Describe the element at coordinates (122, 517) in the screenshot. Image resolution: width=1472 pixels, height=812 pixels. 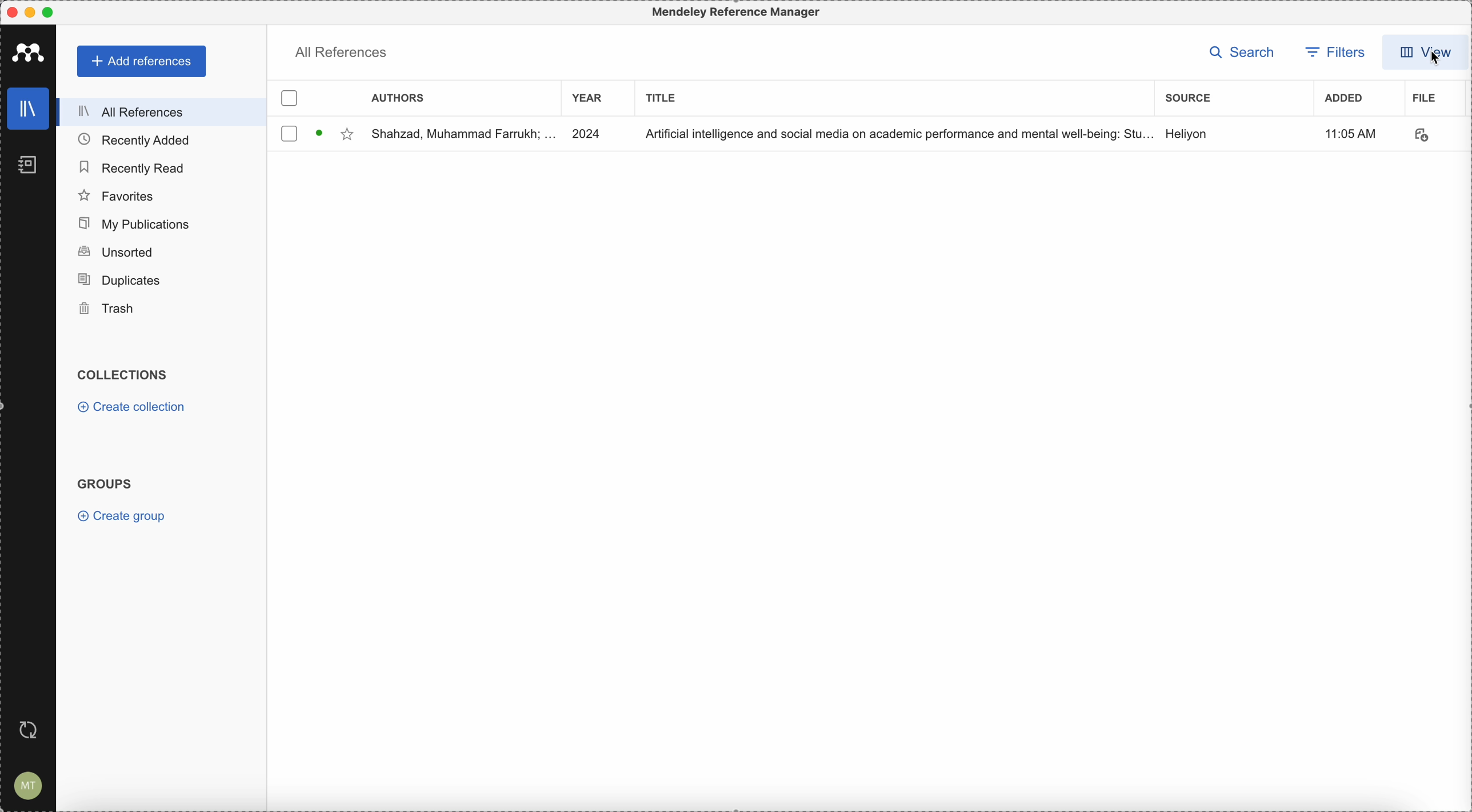
I see `create group` at that location.